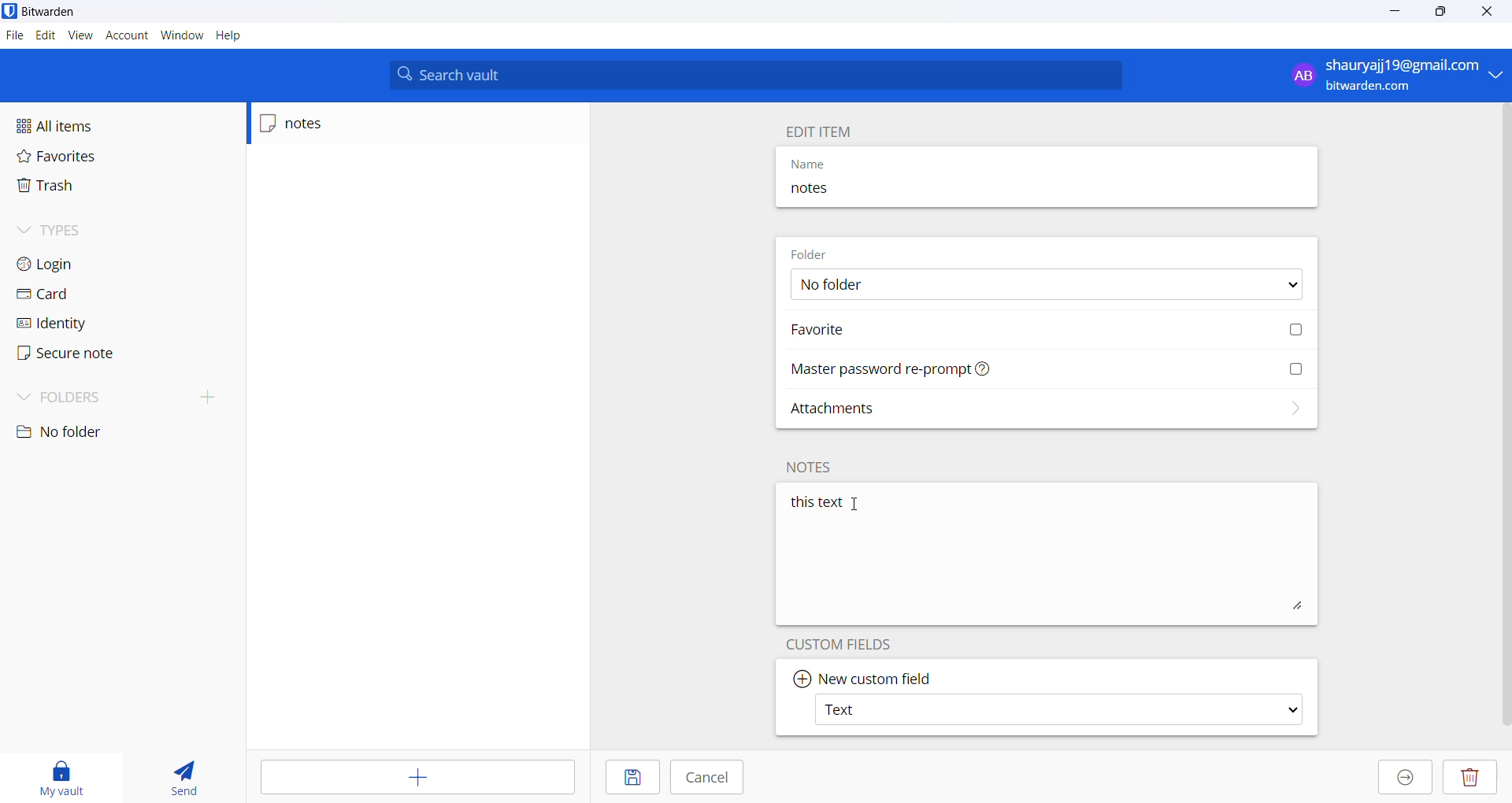  What do you see at coordinates (829, 131) in the screenshot?
I see `edit item` at bounding box center [829, 131].